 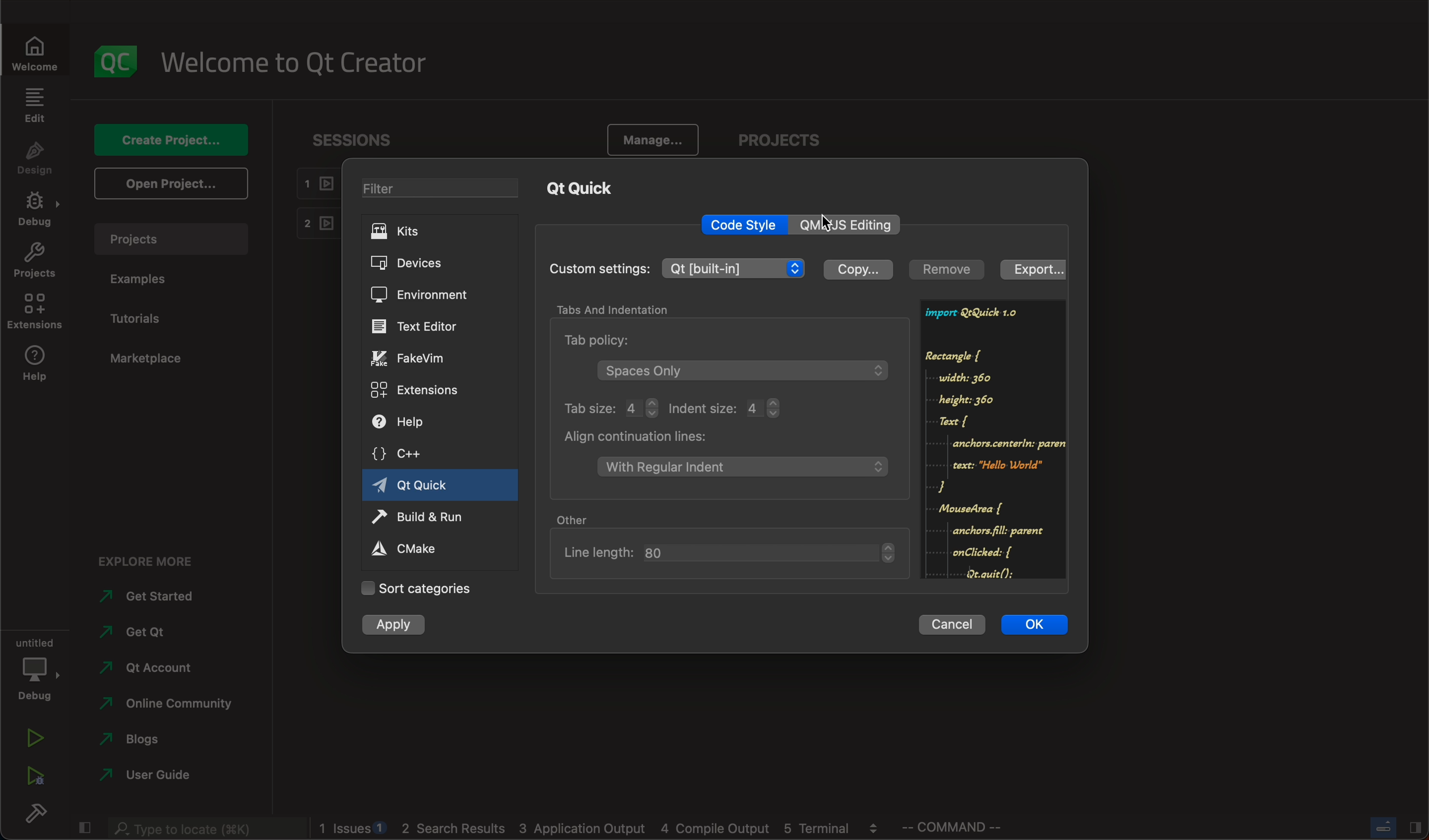 What do you see at coordinates (36, 106) in the screenshot?
I see `edit` at bounding box center [36, 106].